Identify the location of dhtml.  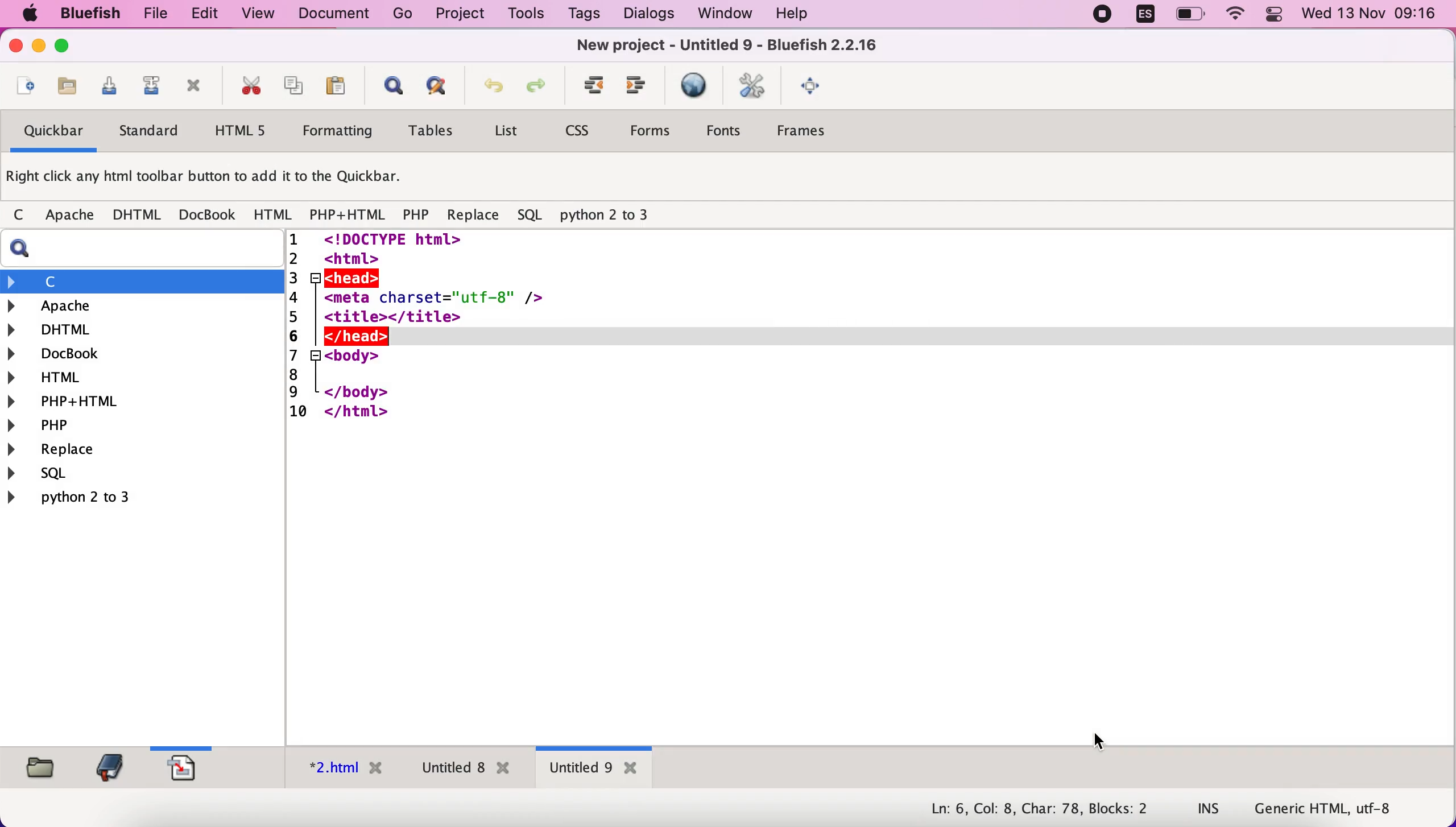
(138, 216).